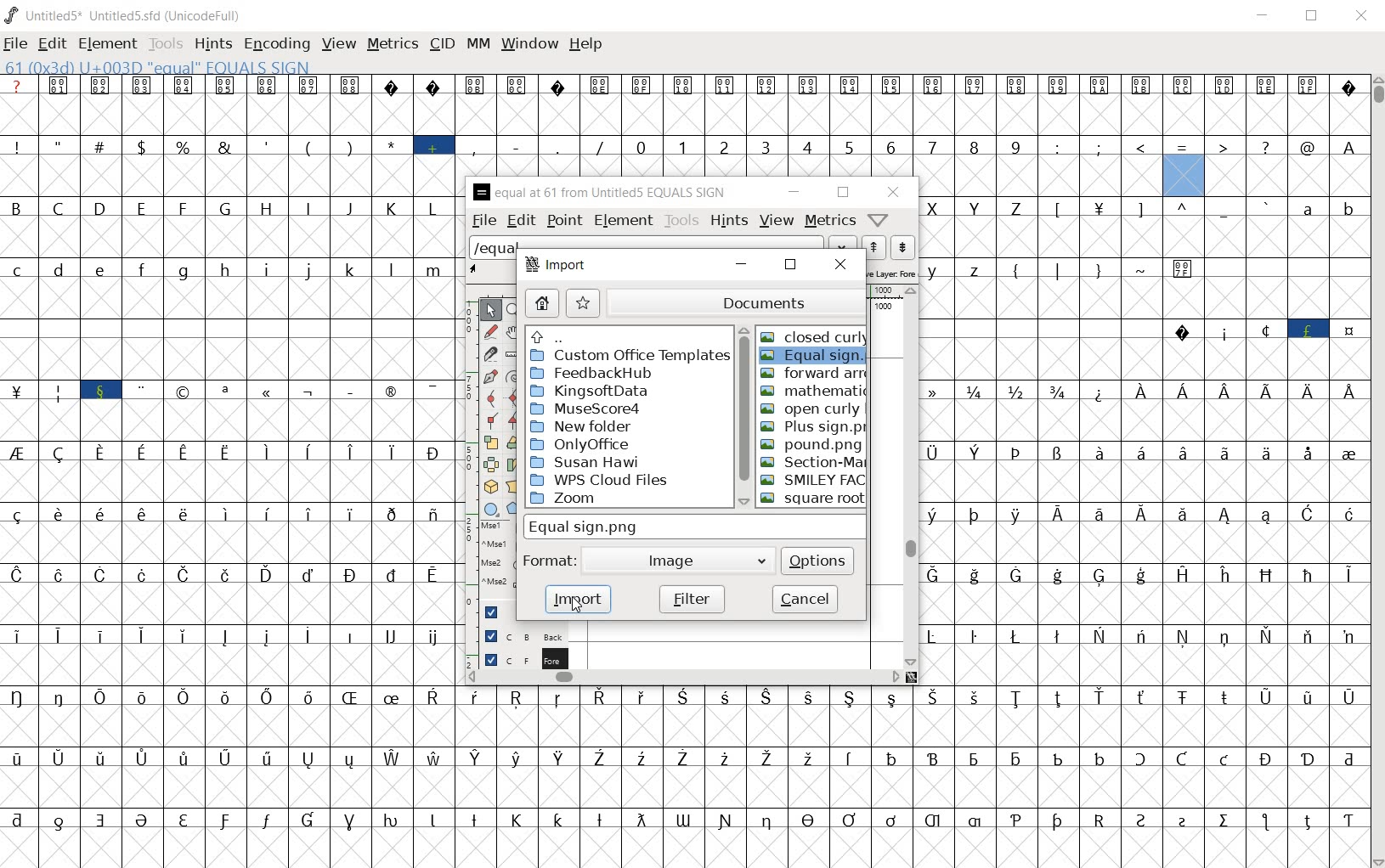  What do you see at coordinates (489, 352) in the screenshot?
I see `cut splines in two` at bounding box center [489, 352].